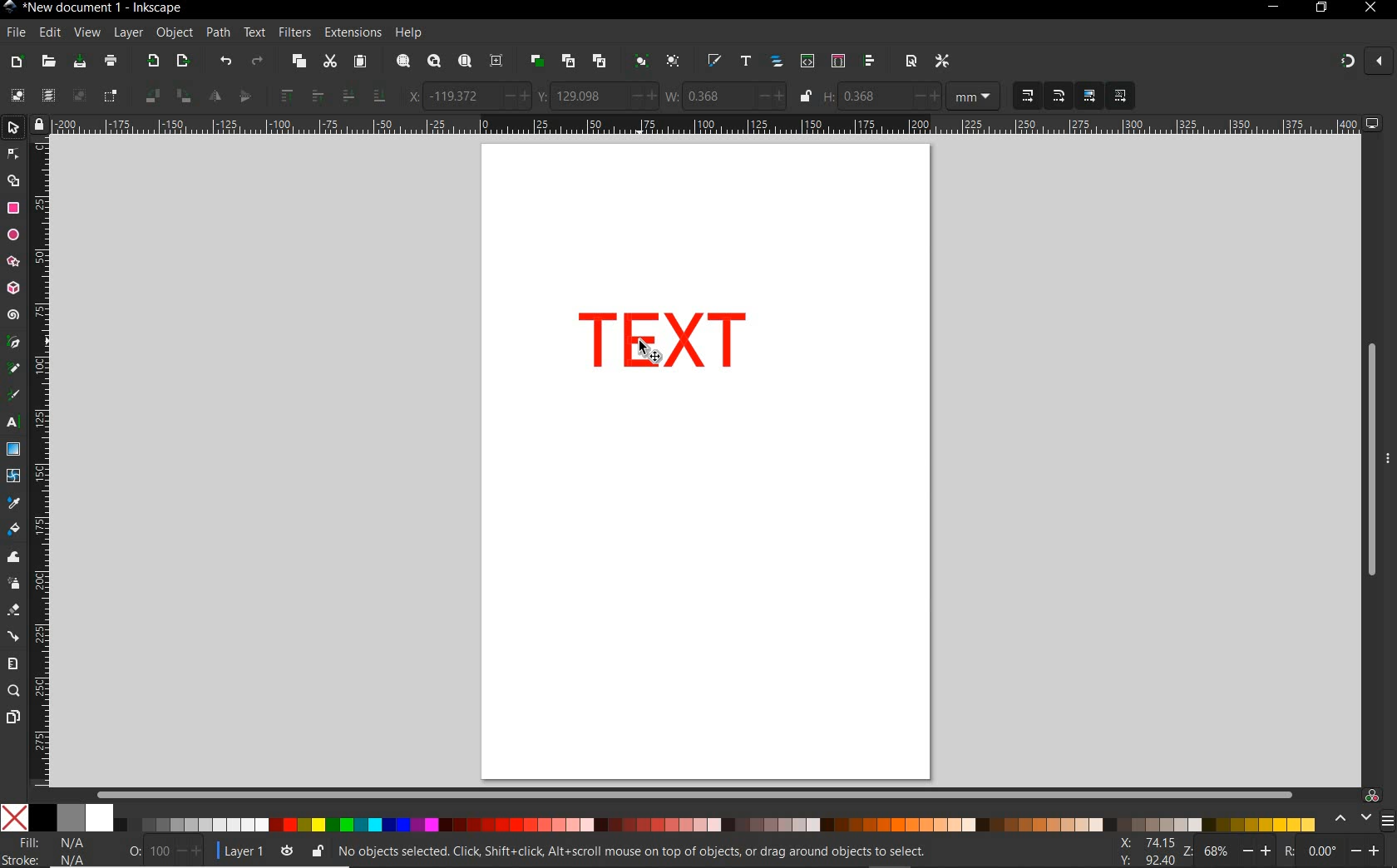  What do you see at coordinates (642, 352) in the screenshot?
I see `Cursor` at bounding box center [642, 352].